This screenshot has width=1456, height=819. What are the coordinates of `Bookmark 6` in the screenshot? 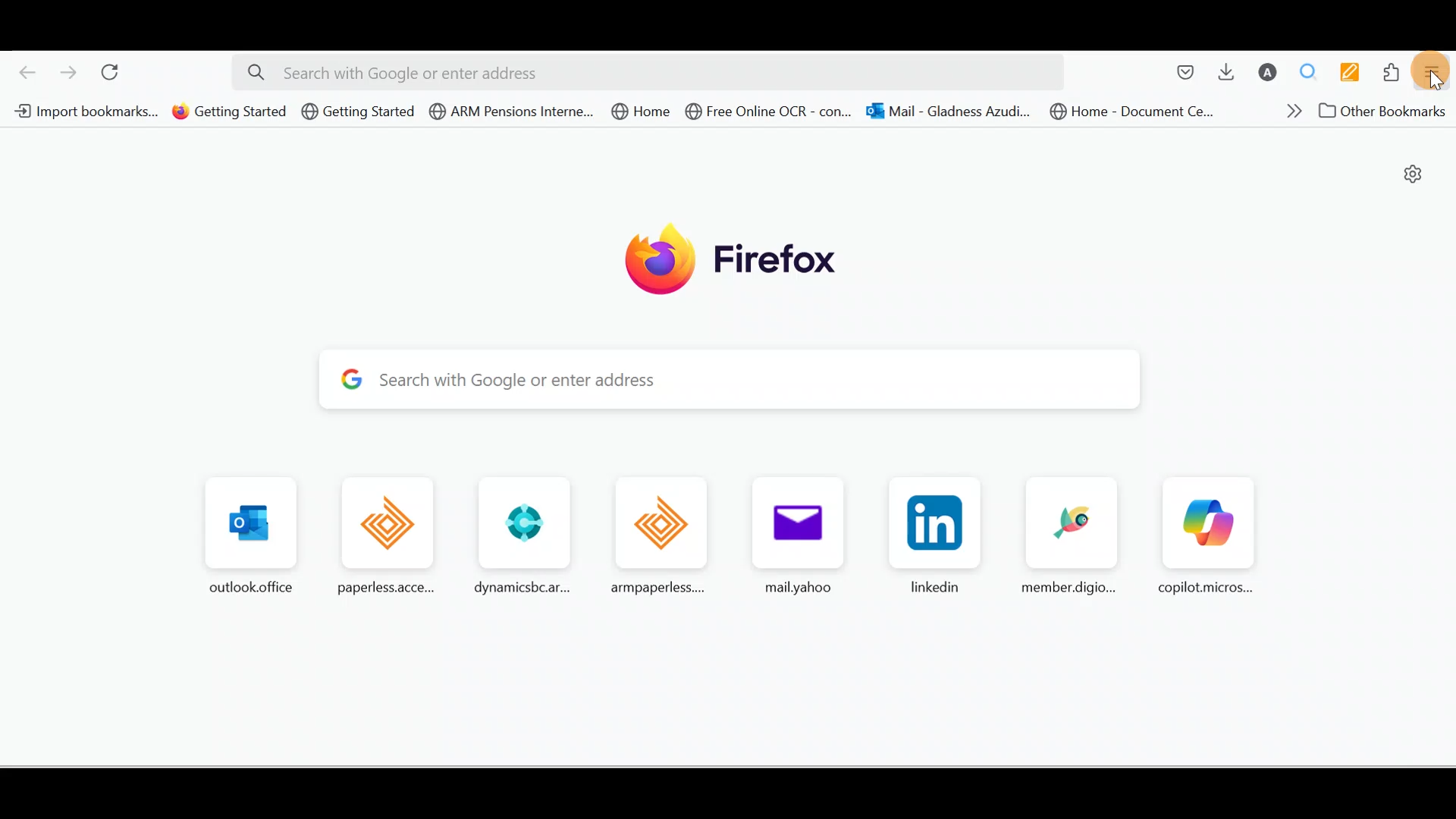 It's located at (770, 114).